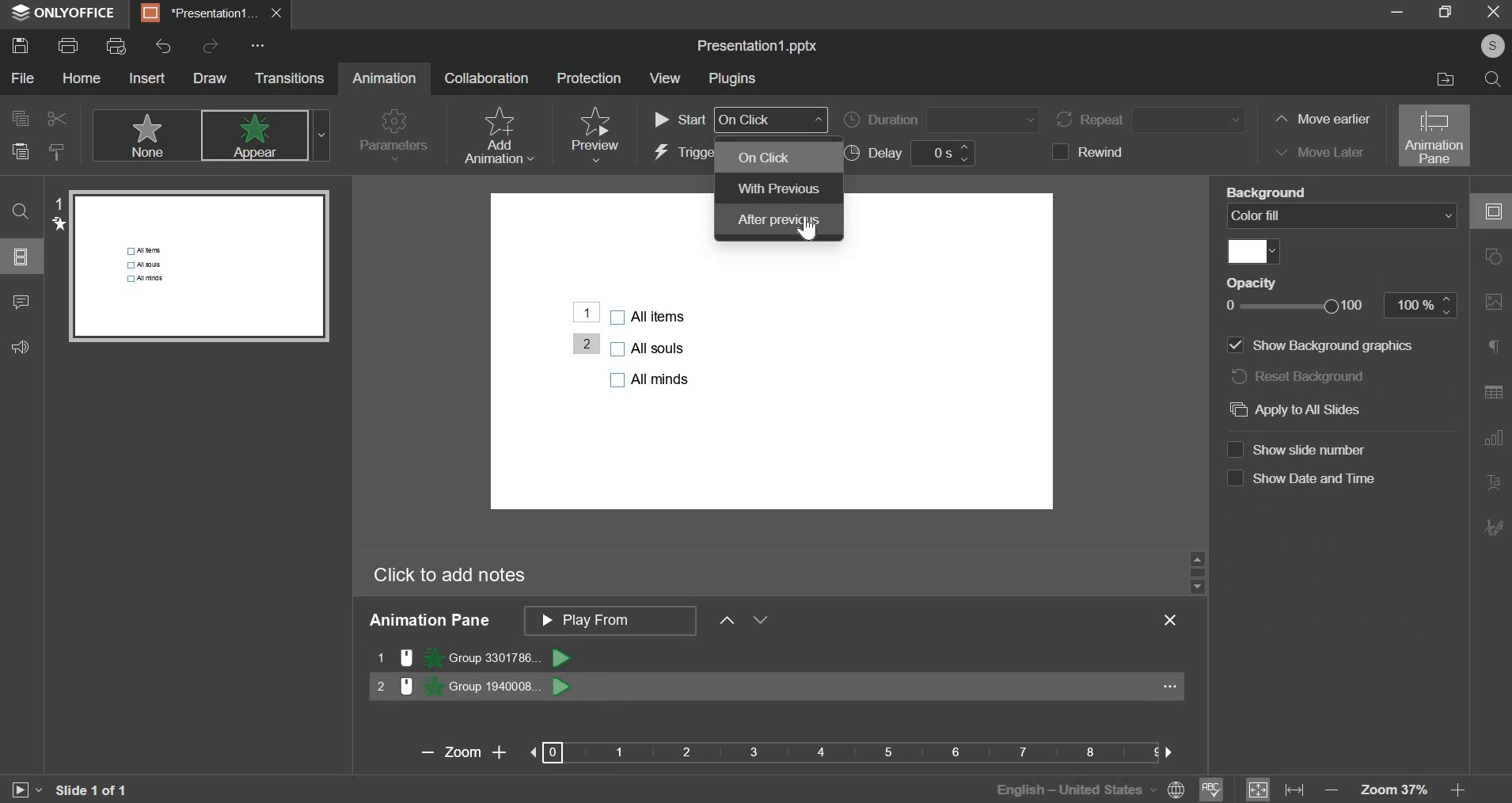  Describe the element at coordinates (18, 117) in the screenshot. I see `copy` at that location.